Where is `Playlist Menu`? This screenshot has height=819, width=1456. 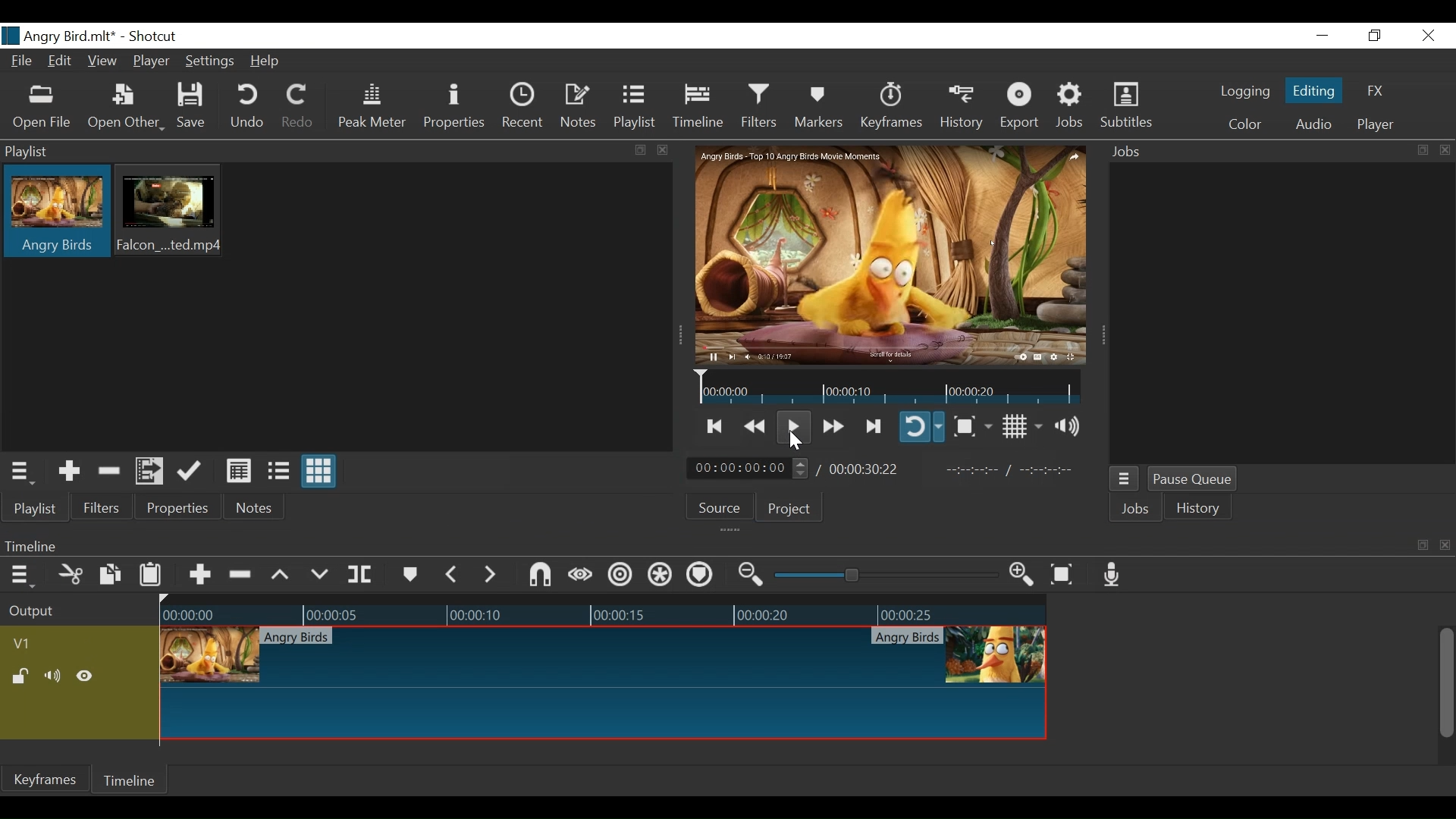 Playlist Menu is located at coordinates (26, 472).